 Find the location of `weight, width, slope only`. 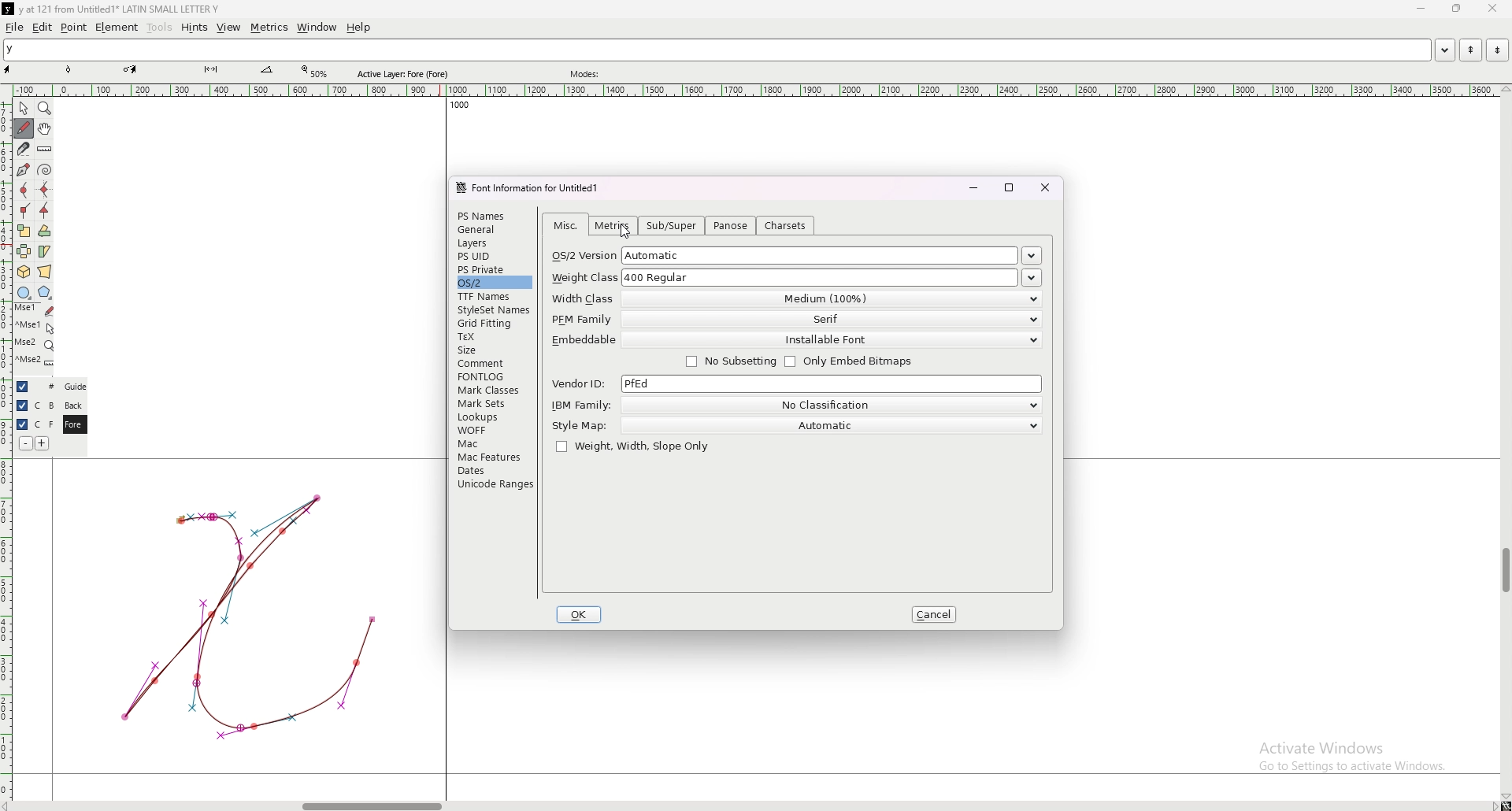

weight, width, slope only is located at coordinates (632, 447).